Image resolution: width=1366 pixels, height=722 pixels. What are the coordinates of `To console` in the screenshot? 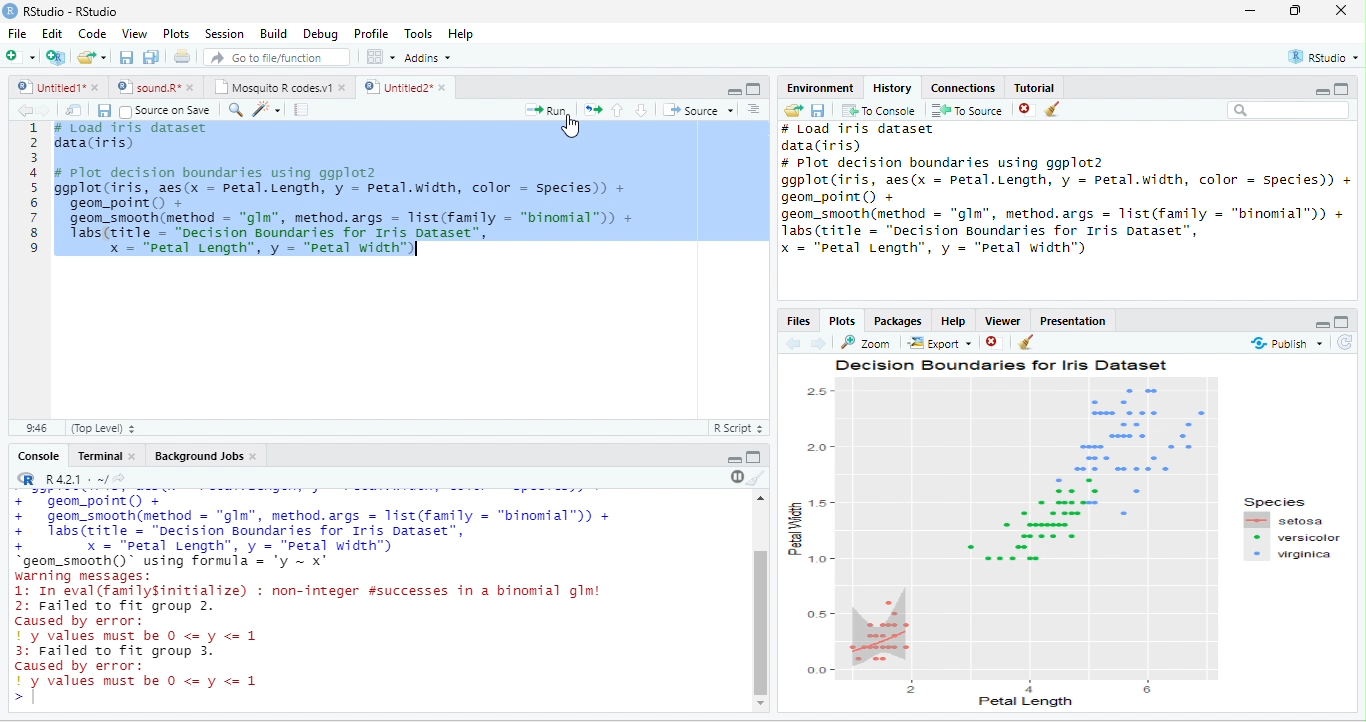 It's located at (879, 110).